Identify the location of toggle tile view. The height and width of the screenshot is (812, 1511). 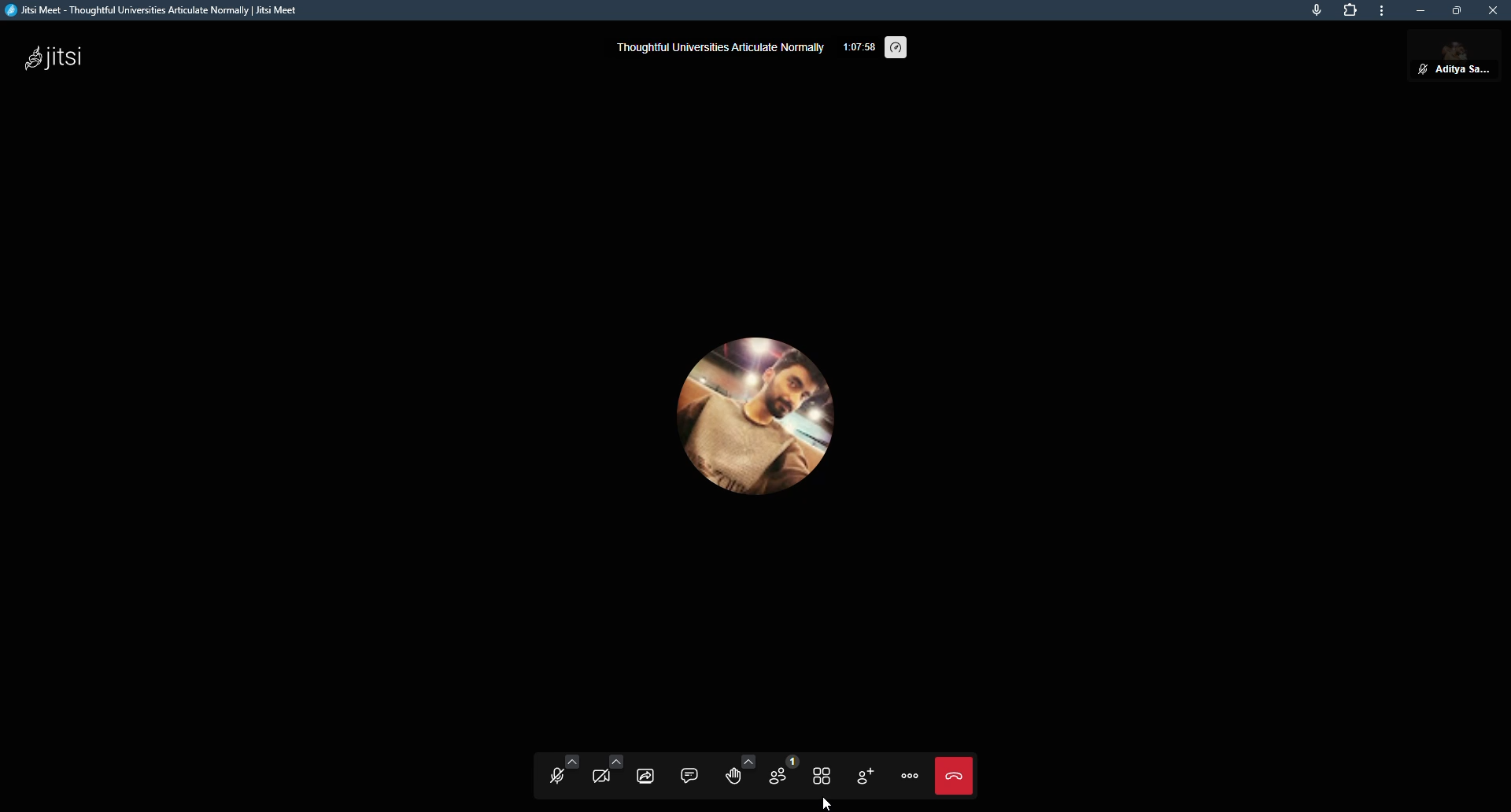
(828, 774).